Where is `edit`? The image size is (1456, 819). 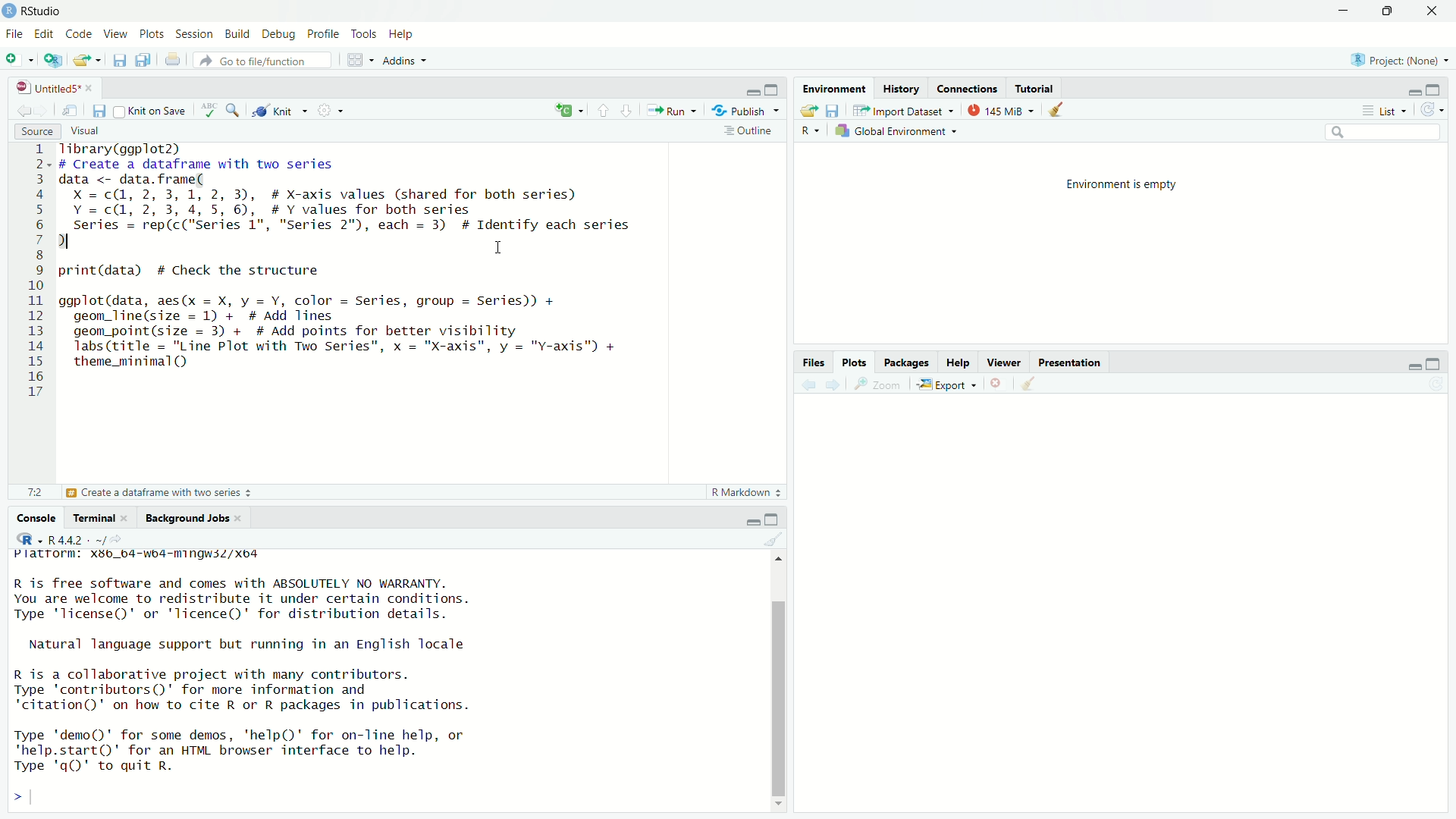
edit is located at coordinates (45, 36).